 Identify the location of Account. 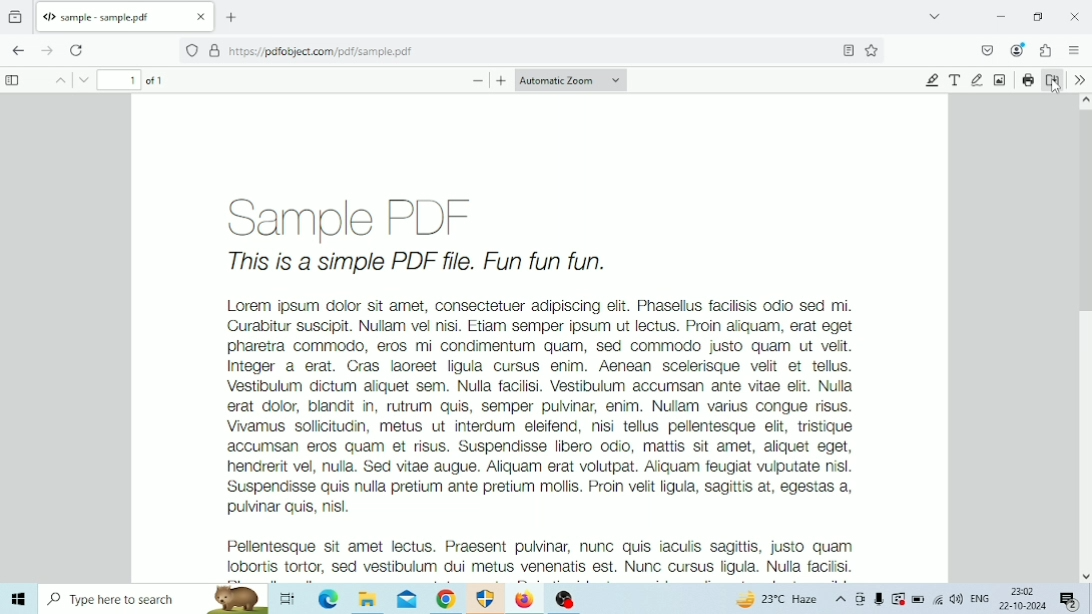
(1019, 50).